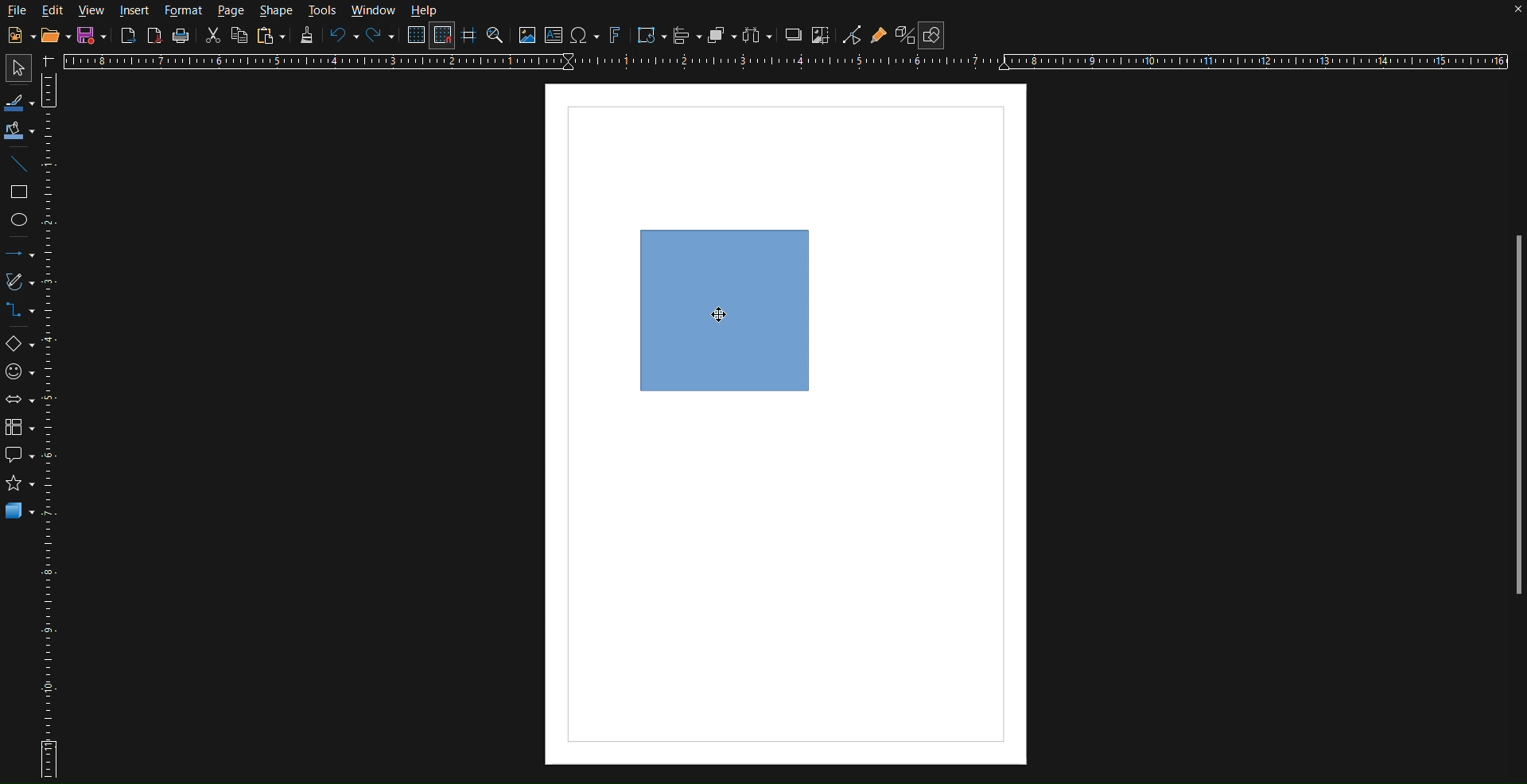  What do you see at coordinates (232, 12) in the screenshot?
I see `Page` at bounding box center [232, 12].